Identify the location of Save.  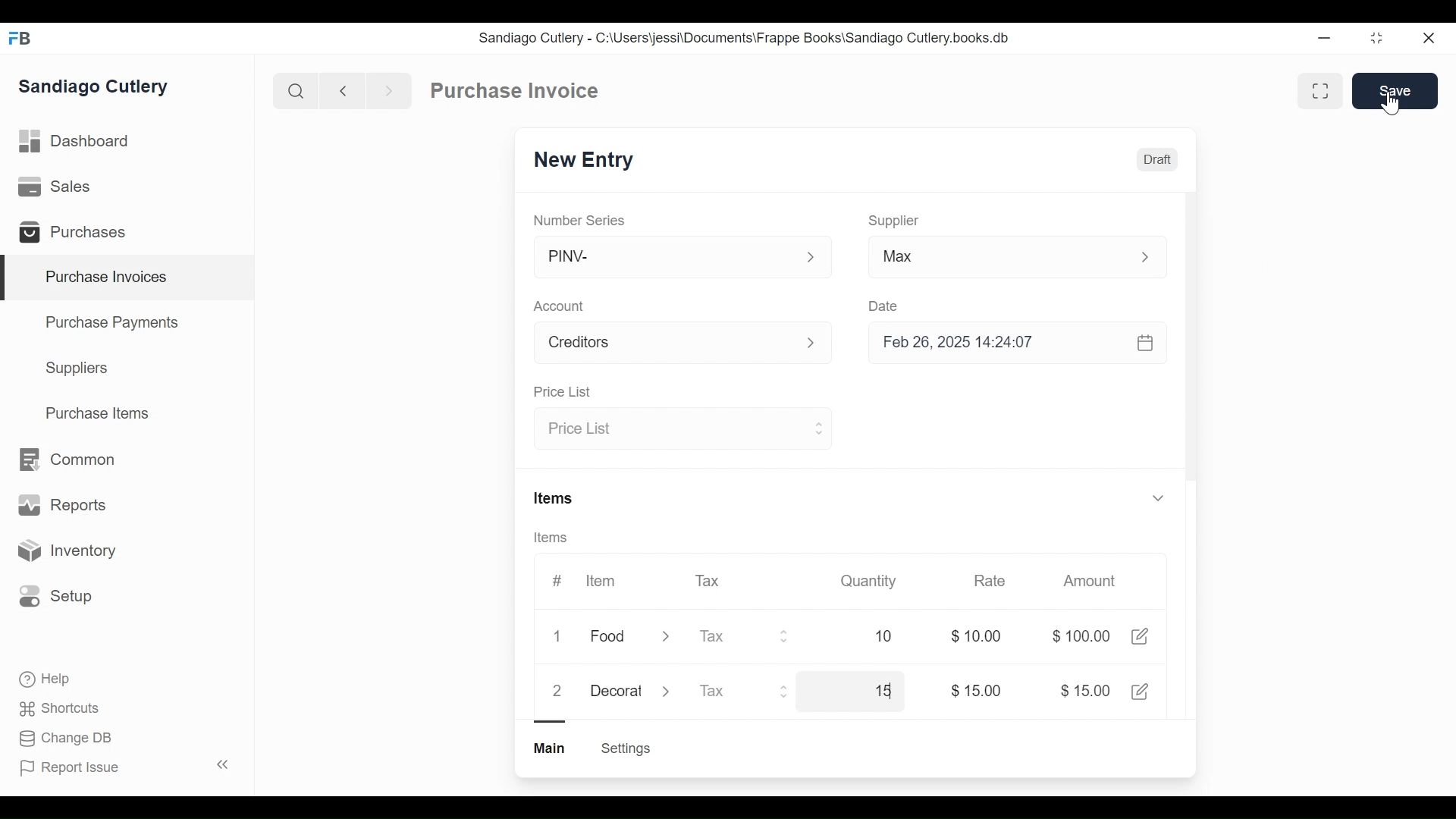
(1397, 91).